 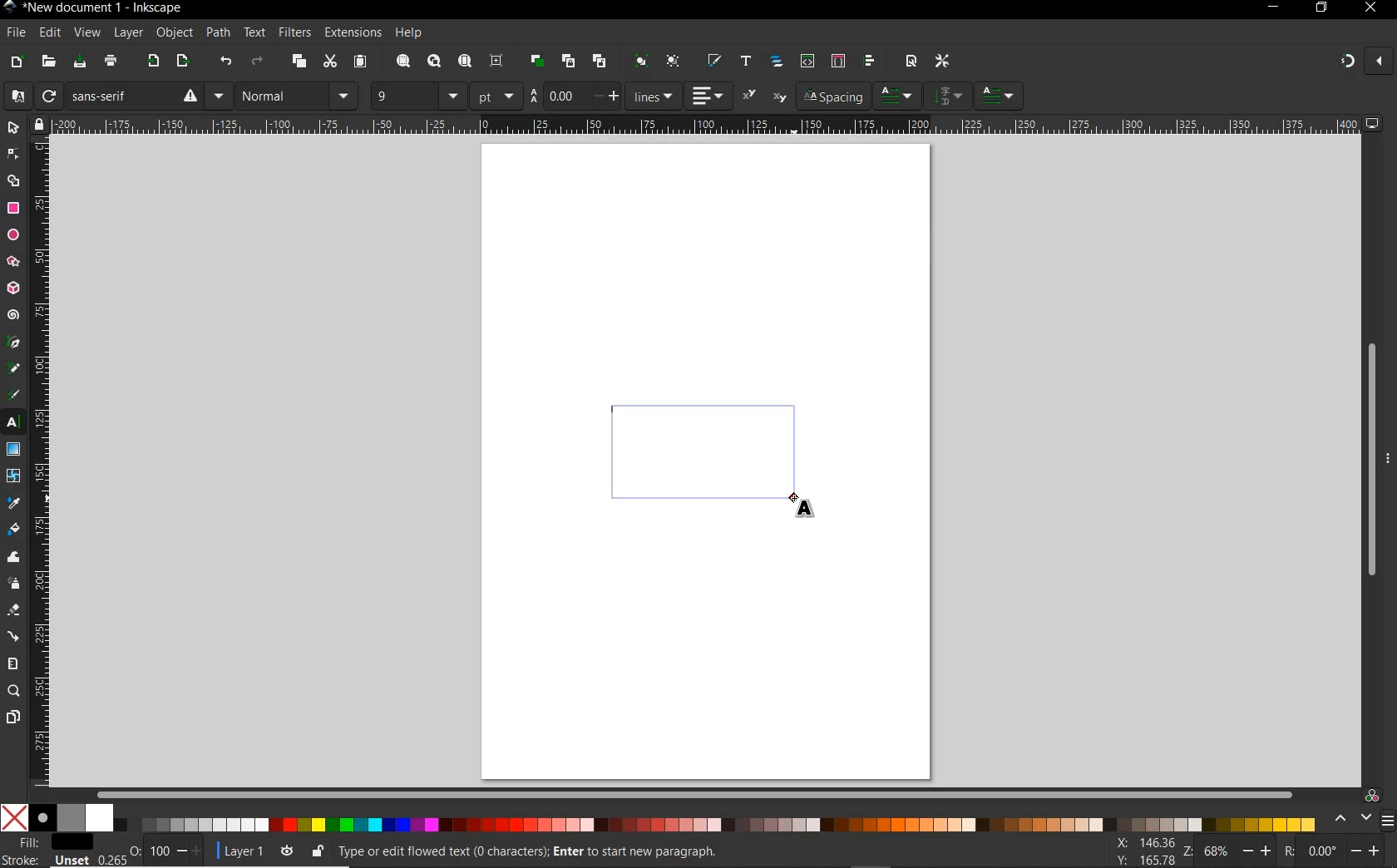 What do you see at coordinates (13, 317) in the screenshot?
I see `spiral tool` at bounding box center [13, 317].